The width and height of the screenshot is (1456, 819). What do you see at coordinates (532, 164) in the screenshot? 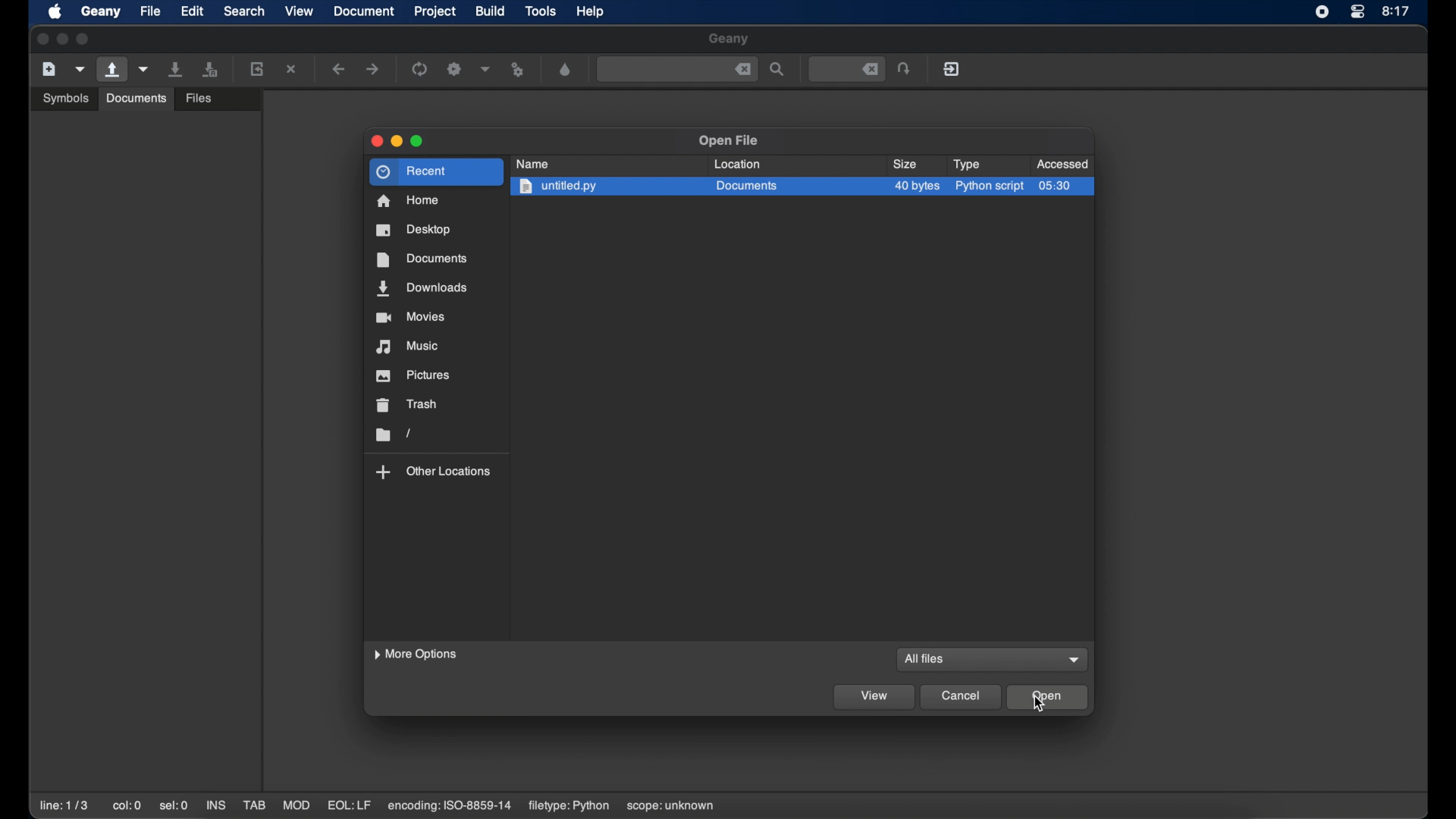
I see `name` at bounding box center [532, 164].